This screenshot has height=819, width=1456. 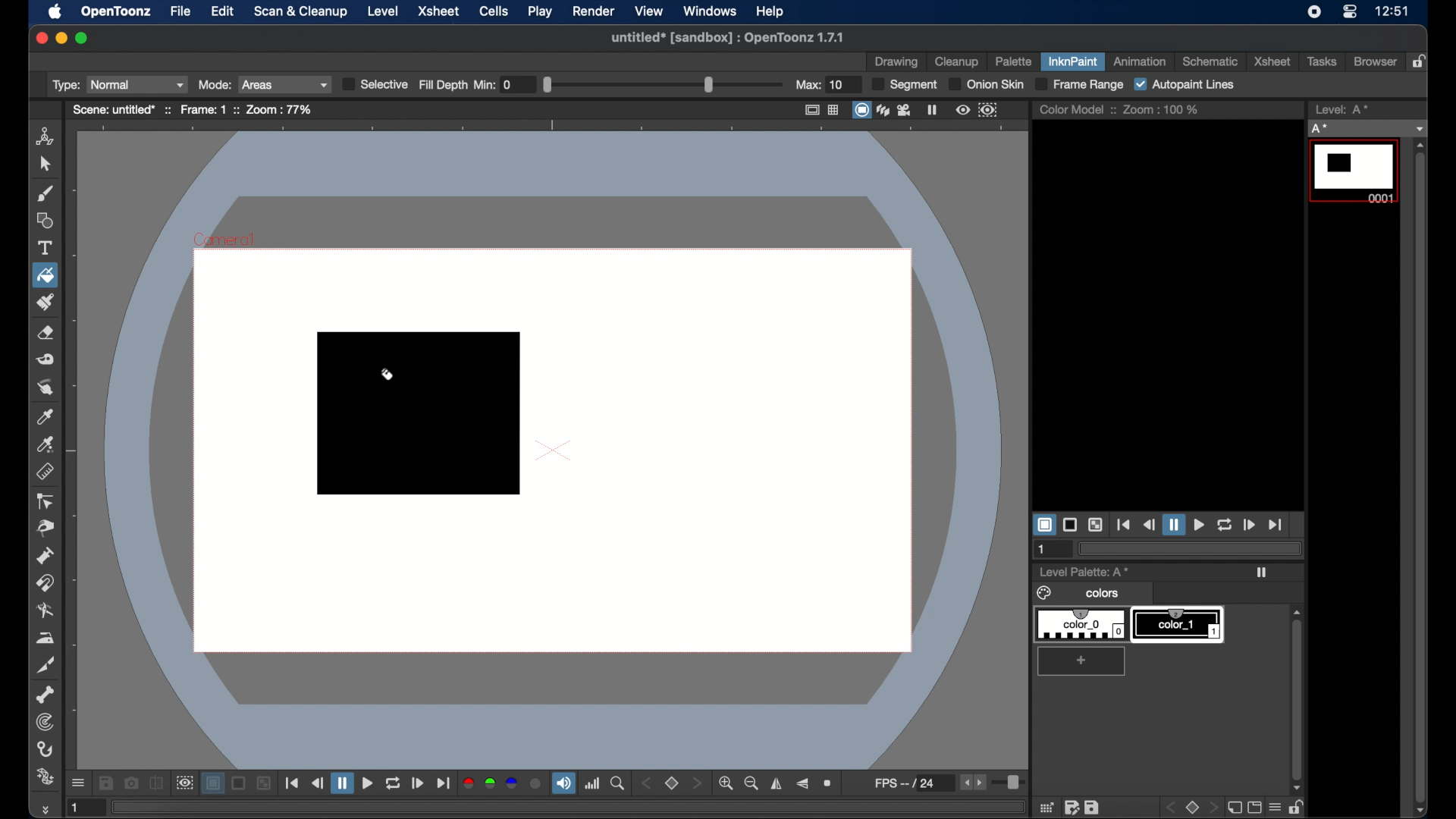 What do you see at coordinates (511, 783) in the screenshot?
I see `blue channel` at bounding box center [511, 783].